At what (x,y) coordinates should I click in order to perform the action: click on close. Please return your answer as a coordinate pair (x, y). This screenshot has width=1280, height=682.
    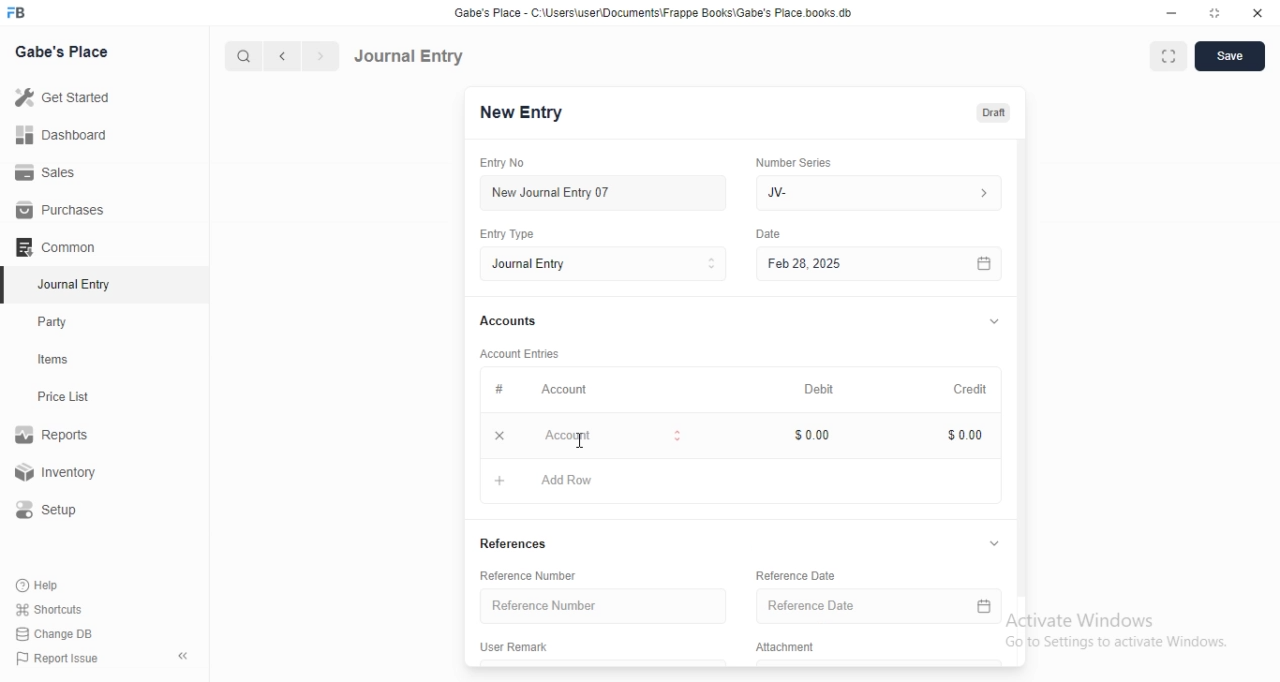
    Looking at the image, I should click on (1258, 12).